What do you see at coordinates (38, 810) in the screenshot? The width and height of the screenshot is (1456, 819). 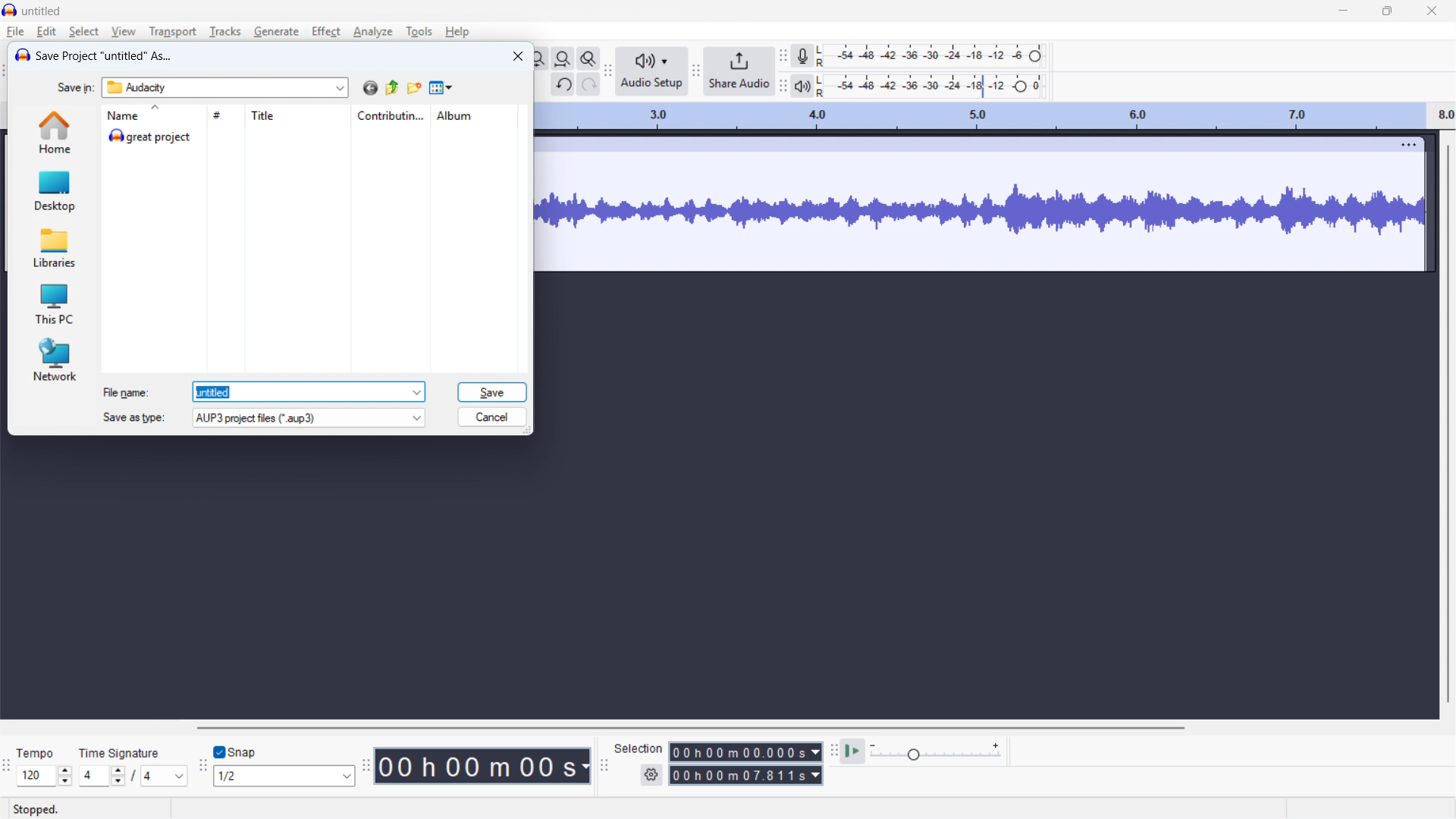 I see `stopped` at bounding box center [38, 810].